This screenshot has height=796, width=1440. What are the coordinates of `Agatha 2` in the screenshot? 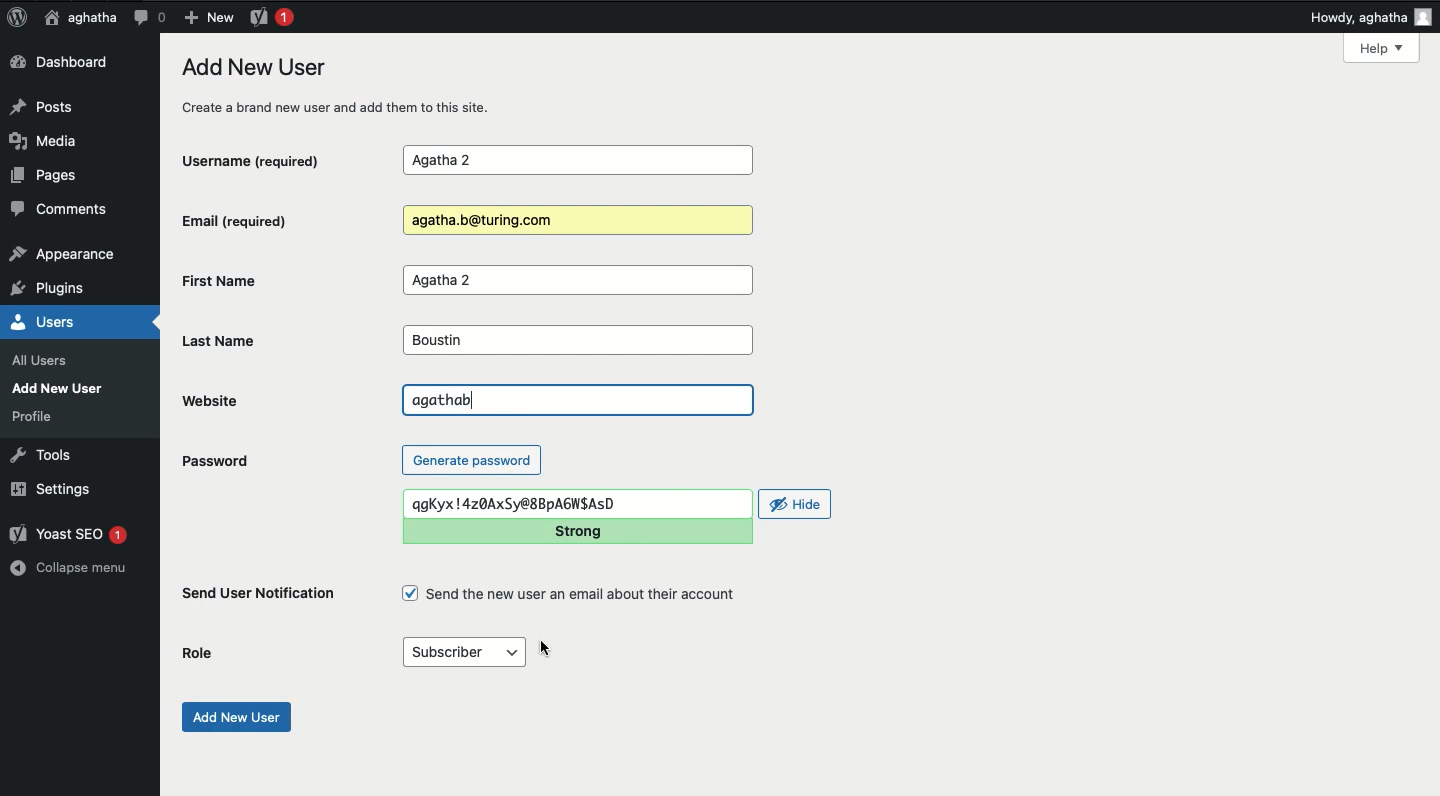 It's located at (577, 281).